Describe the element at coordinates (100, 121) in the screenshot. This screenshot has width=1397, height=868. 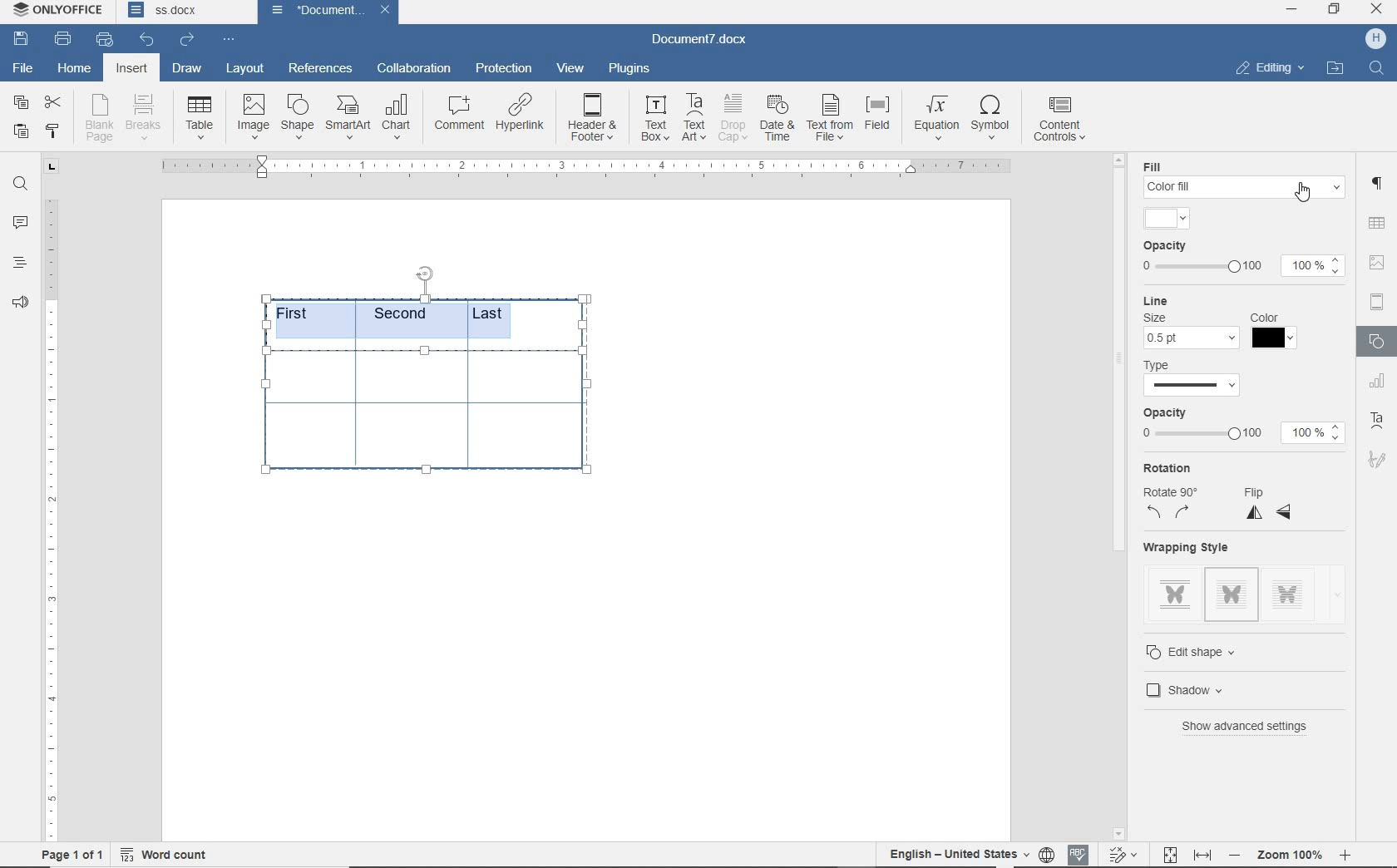
I see `blank page` at that location.